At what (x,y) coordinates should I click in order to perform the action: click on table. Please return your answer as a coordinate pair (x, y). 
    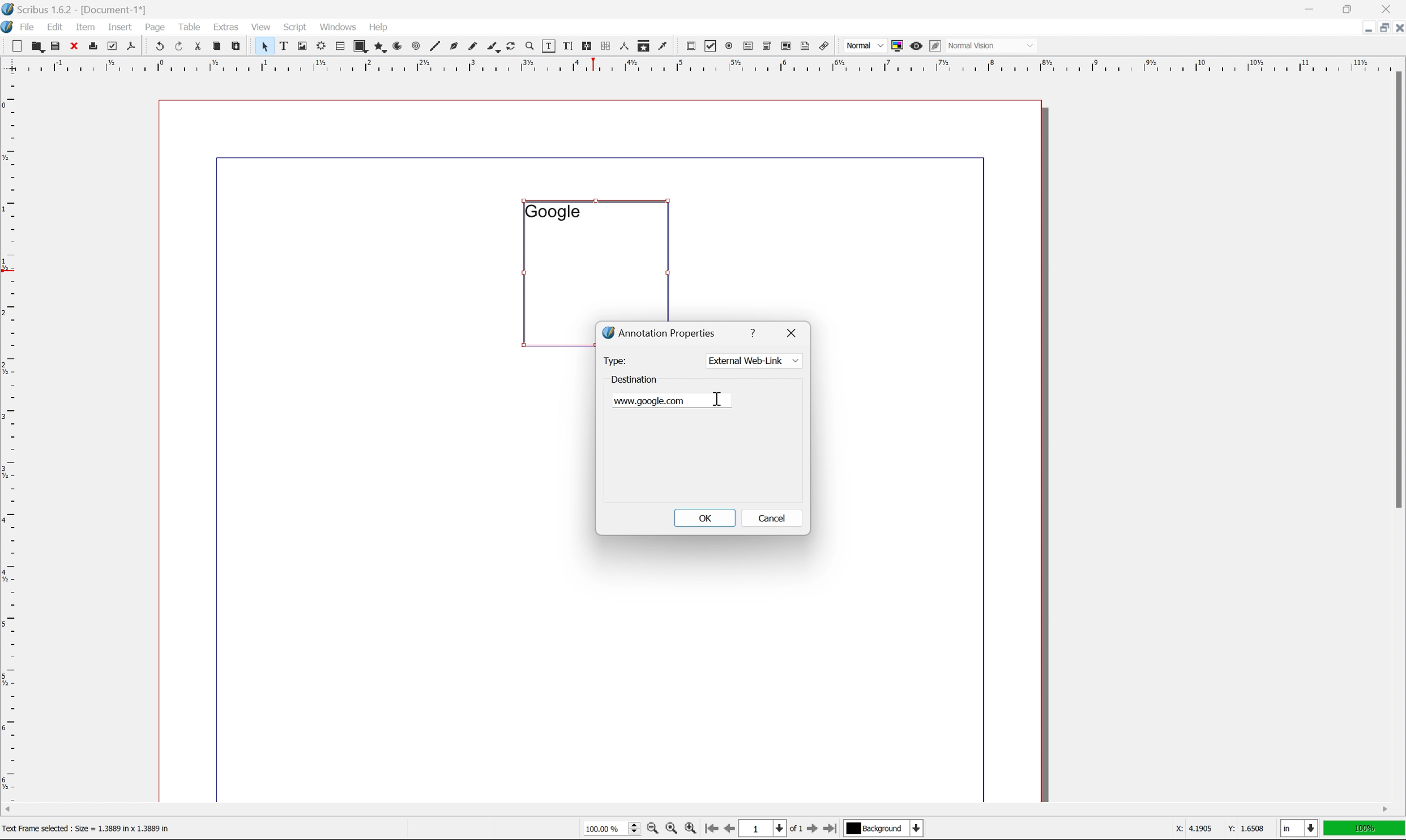
    Looking at the image, I should click on (190, 26).